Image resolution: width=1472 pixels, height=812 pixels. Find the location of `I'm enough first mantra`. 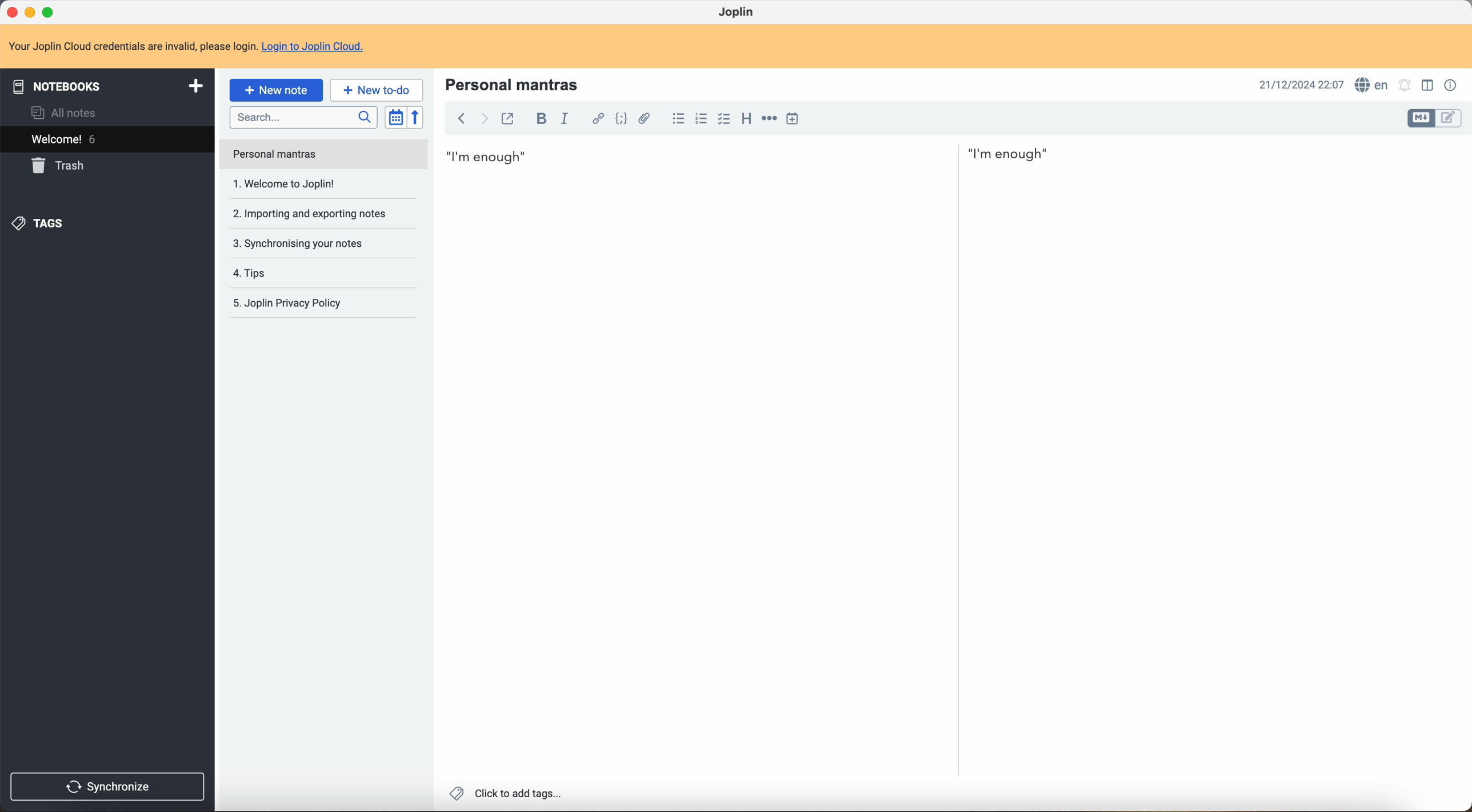

I'm enough first mantra is located at coordinates (750, 157).